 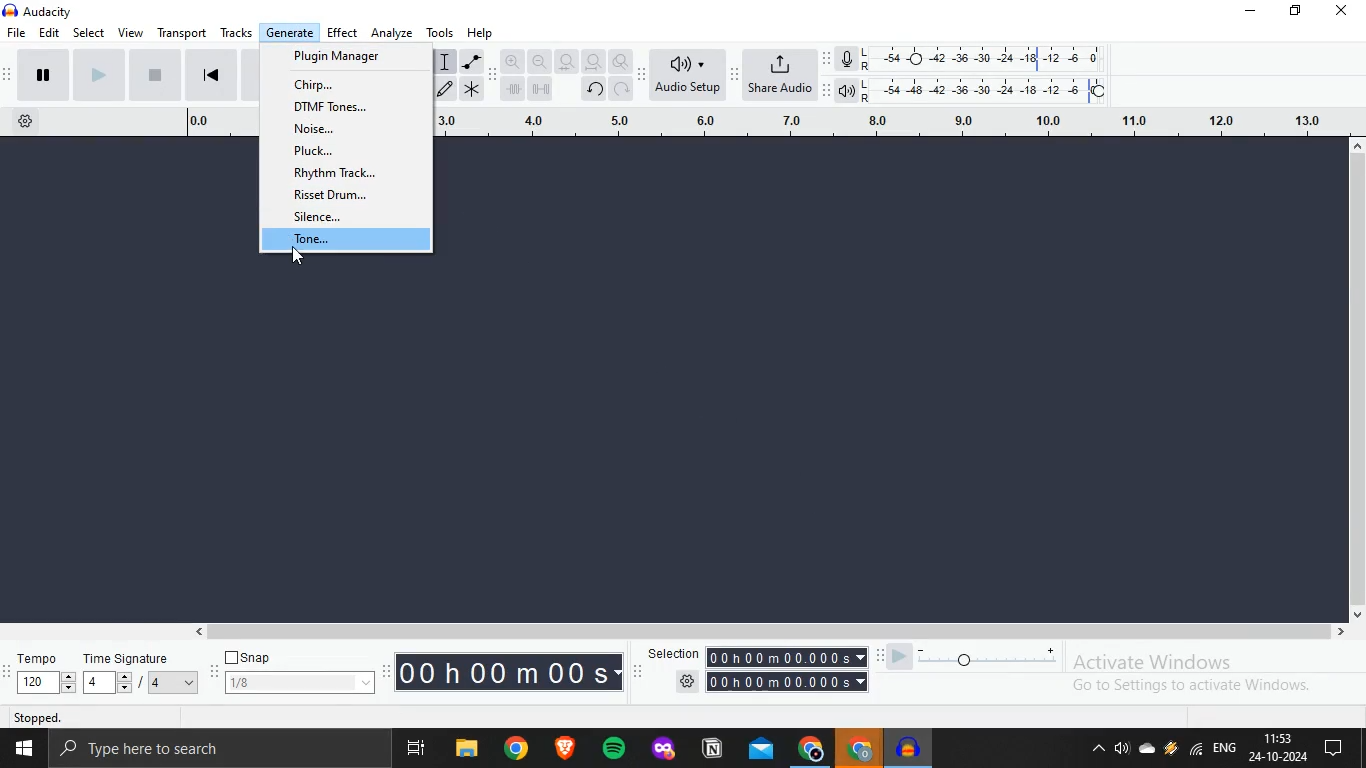 What do you see at coordinates (663, 750) in the screenshot?
I see `Firedox` at bounding box center [663, 750].